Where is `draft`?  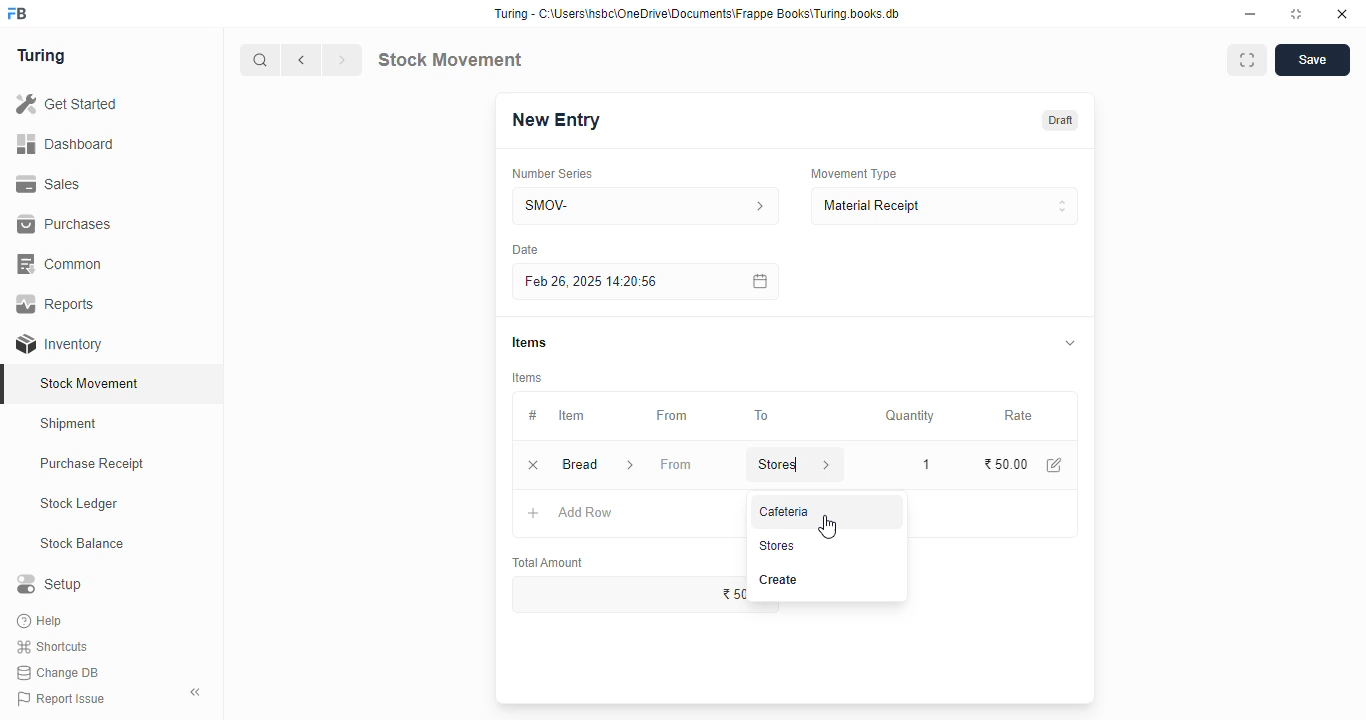
draft is located at coordinates (1062, 120).